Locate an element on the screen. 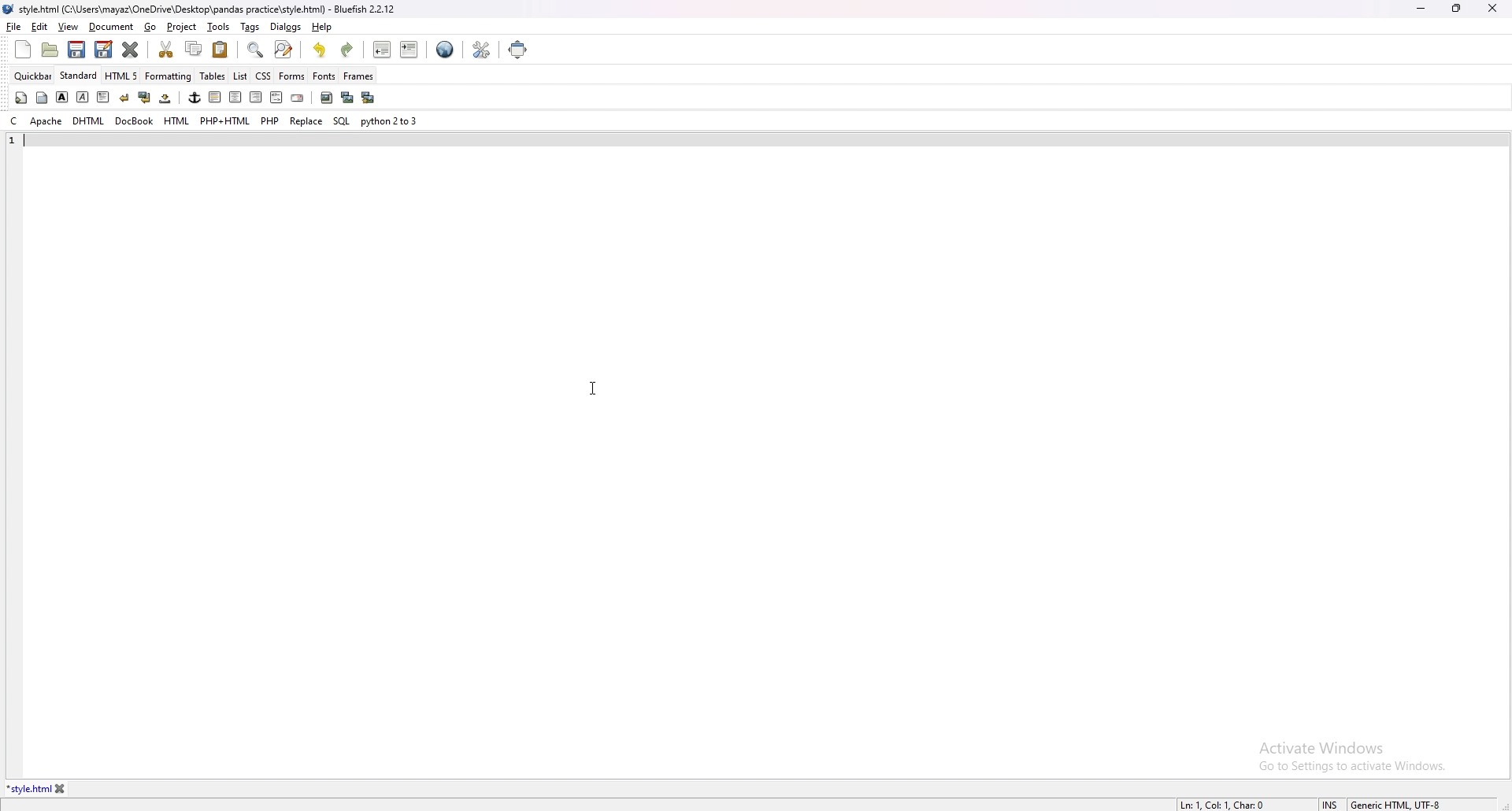 This screenshot has width=1512, height=811. paste is located at coordinates (220, 49).